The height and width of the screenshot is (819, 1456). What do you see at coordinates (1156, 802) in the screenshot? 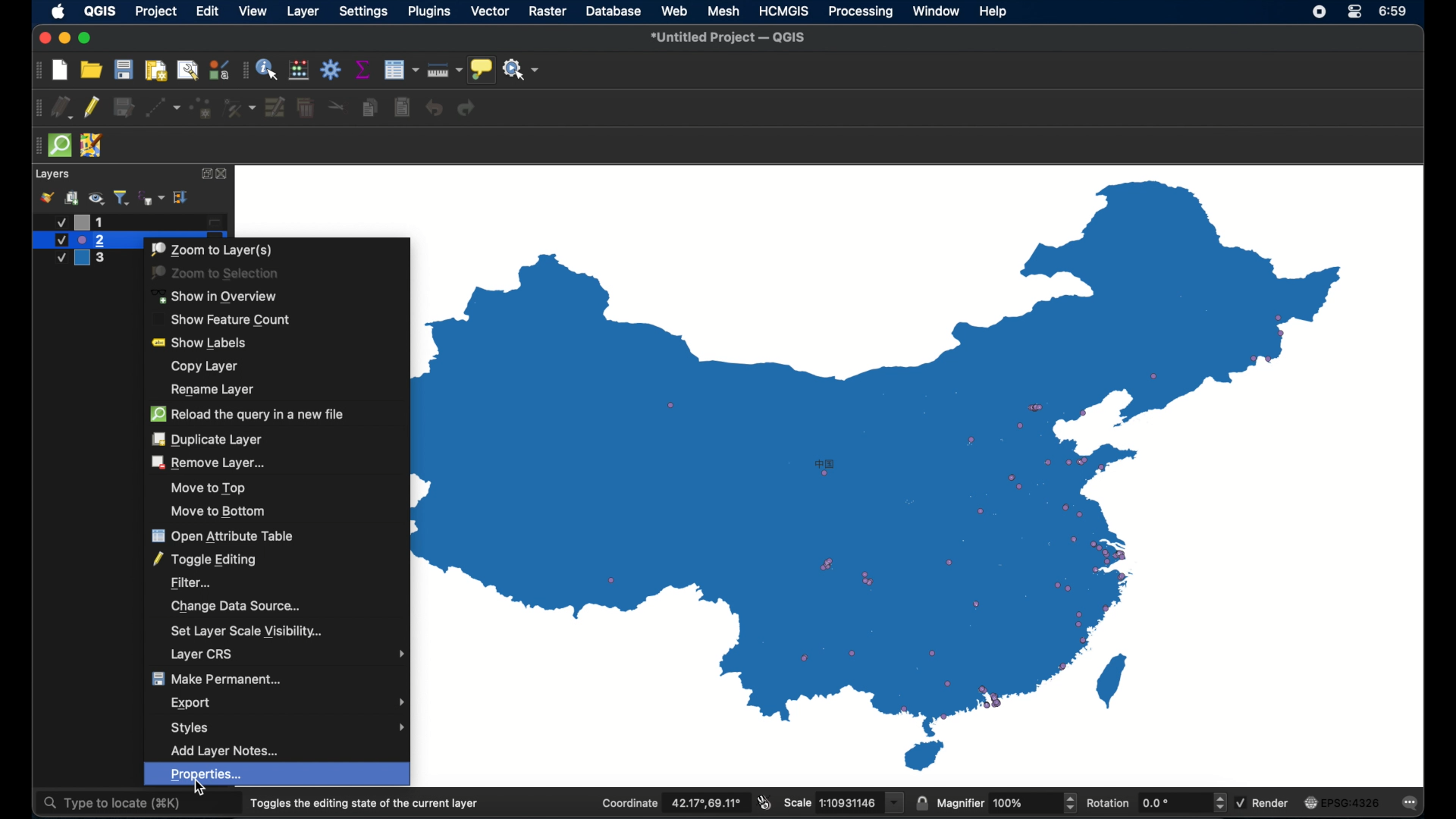
I see `rotation` at bounding box center [1156, 802].